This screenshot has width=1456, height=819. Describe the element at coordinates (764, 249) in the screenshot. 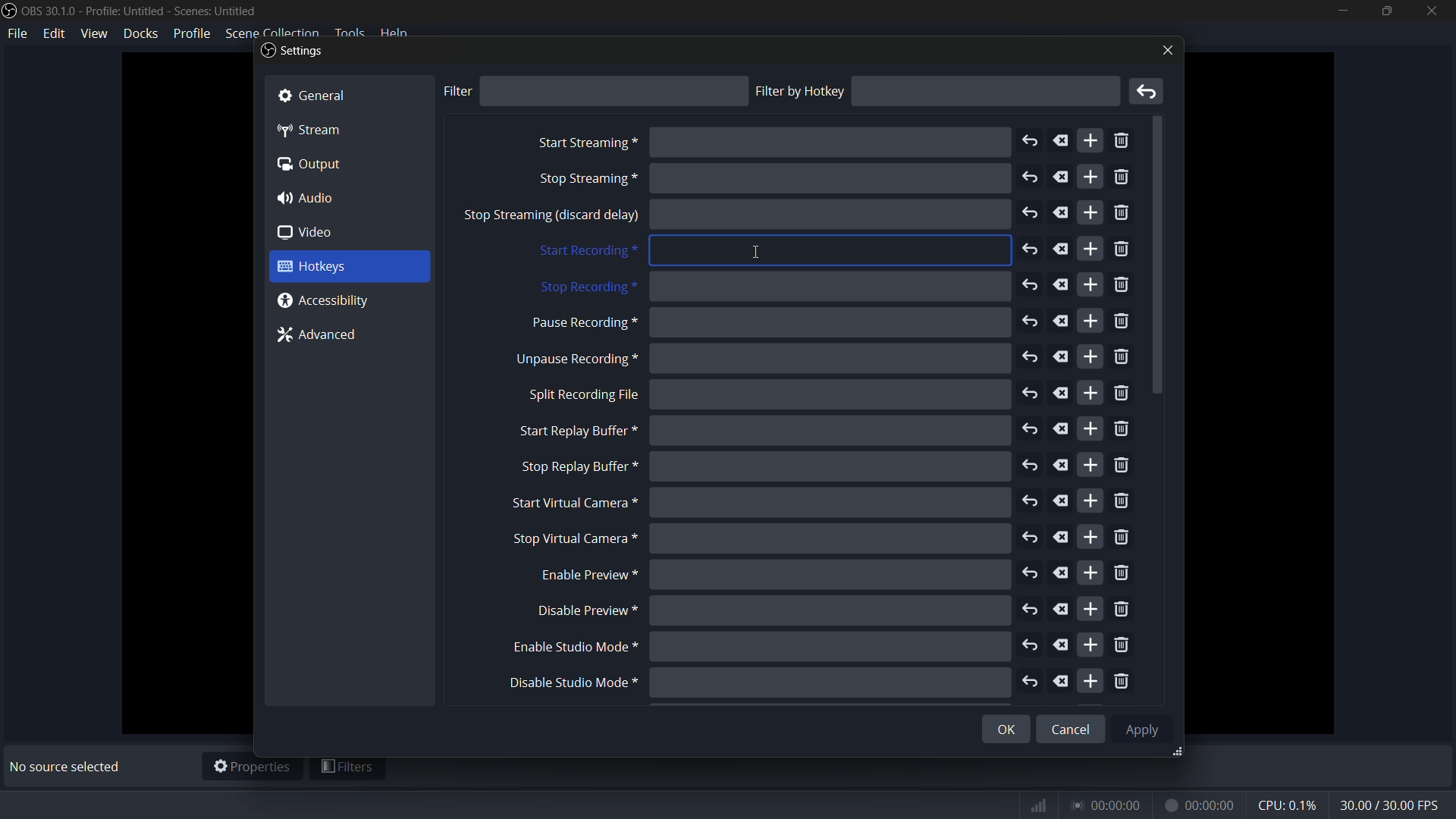

I see `Icursor` at that location.